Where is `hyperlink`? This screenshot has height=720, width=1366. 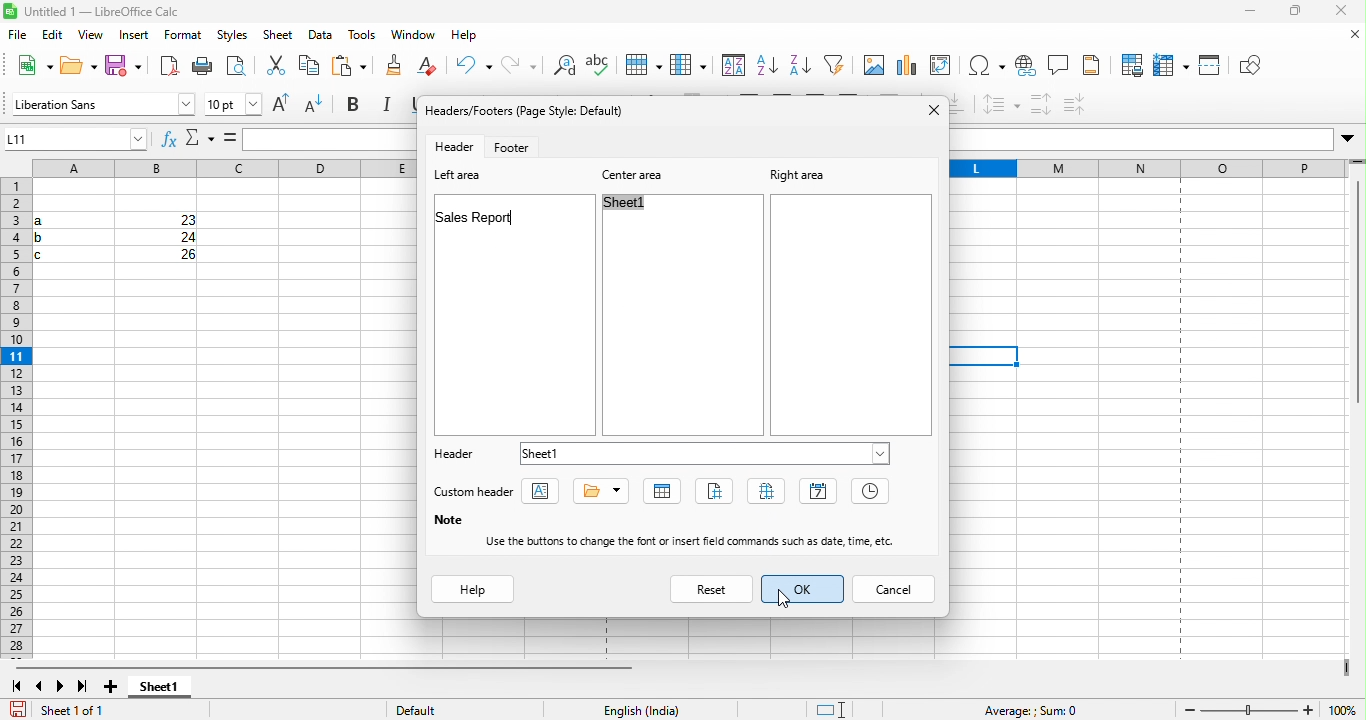 hyperlink is located at coordinates (1025, 69).